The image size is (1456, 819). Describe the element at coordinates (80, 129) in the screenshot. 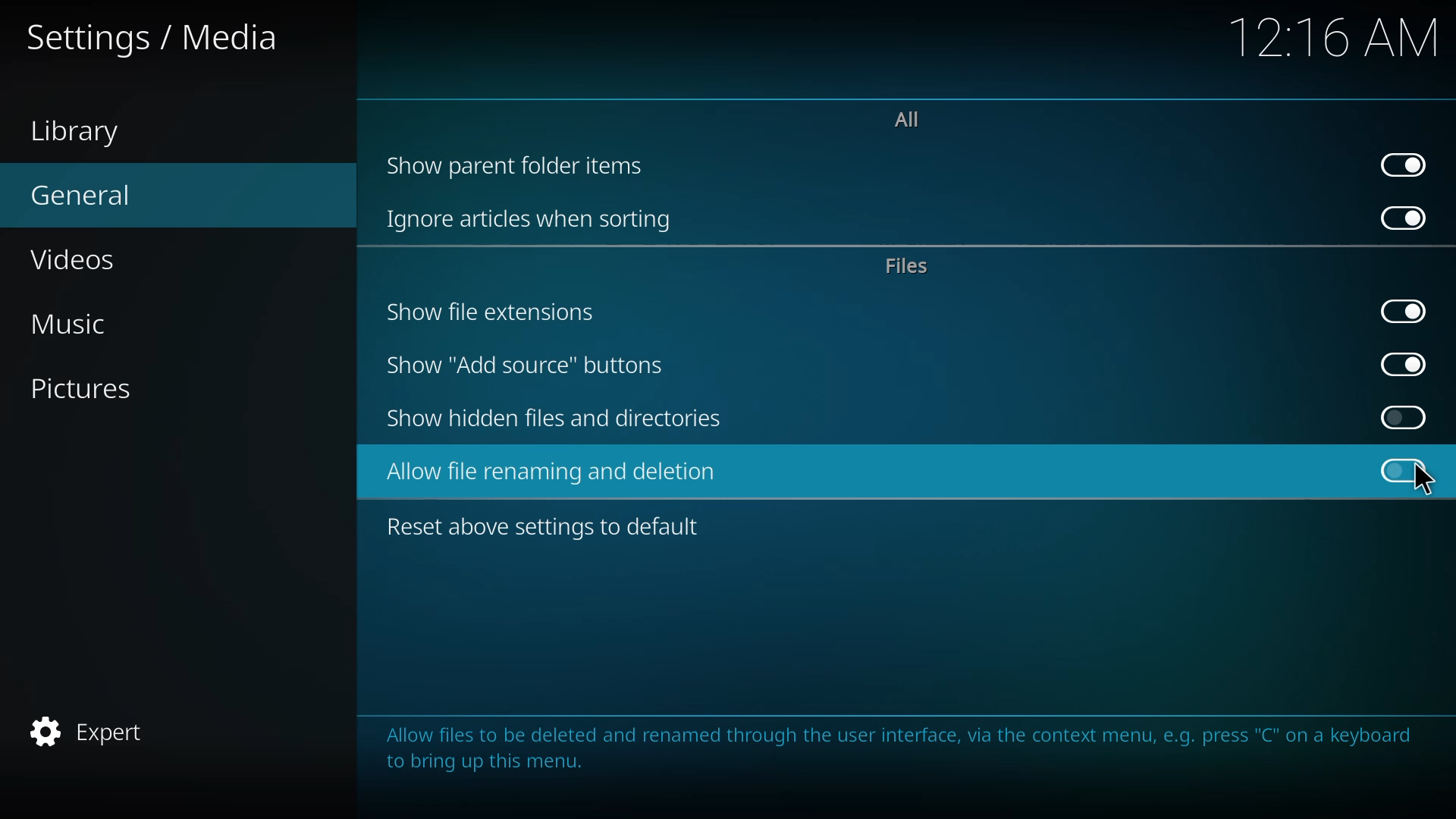

I see `library` at that location.